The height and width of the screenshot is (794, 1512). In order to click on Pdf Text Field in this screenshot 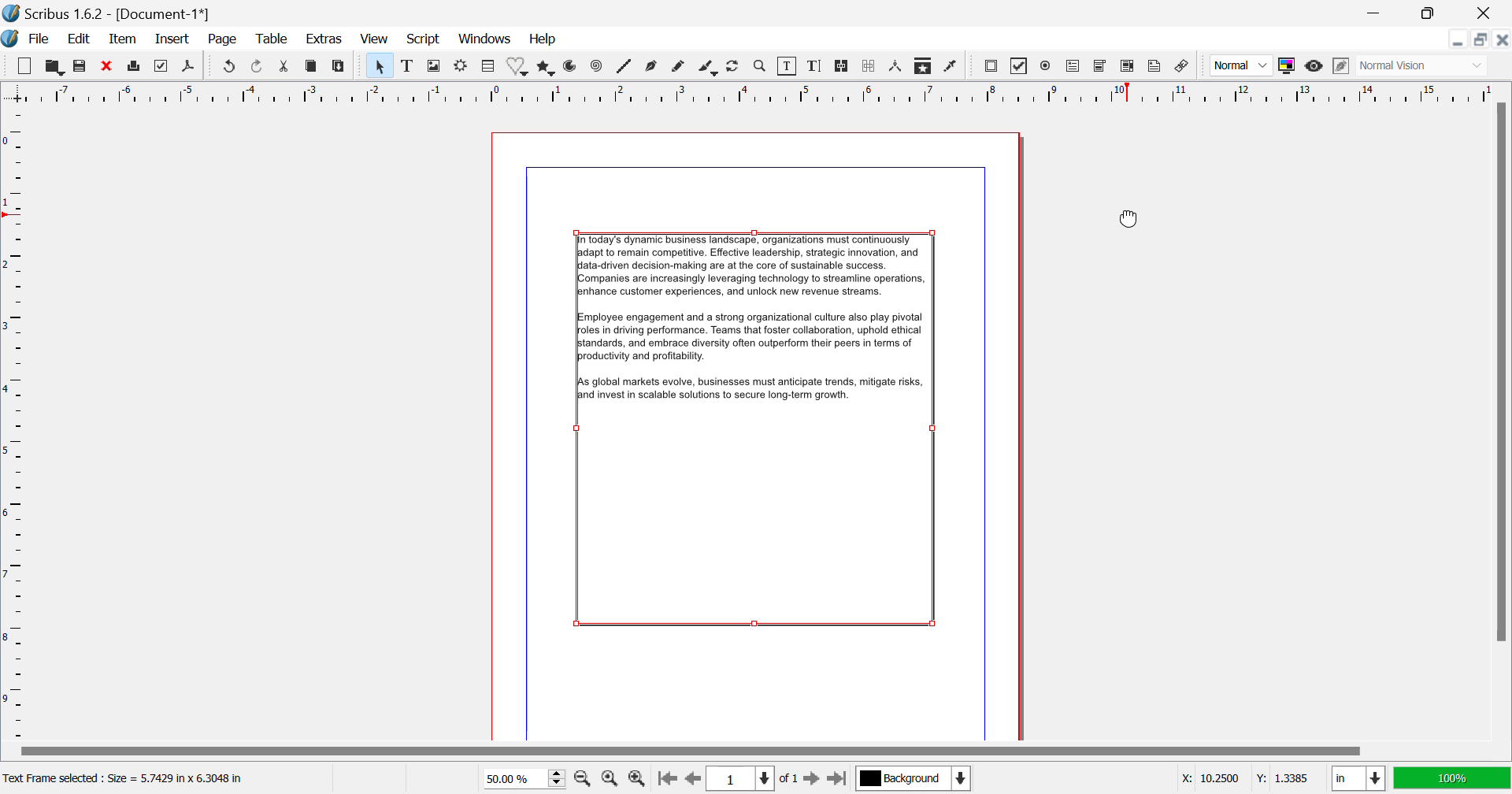, I will do `click(1077, 65)`.